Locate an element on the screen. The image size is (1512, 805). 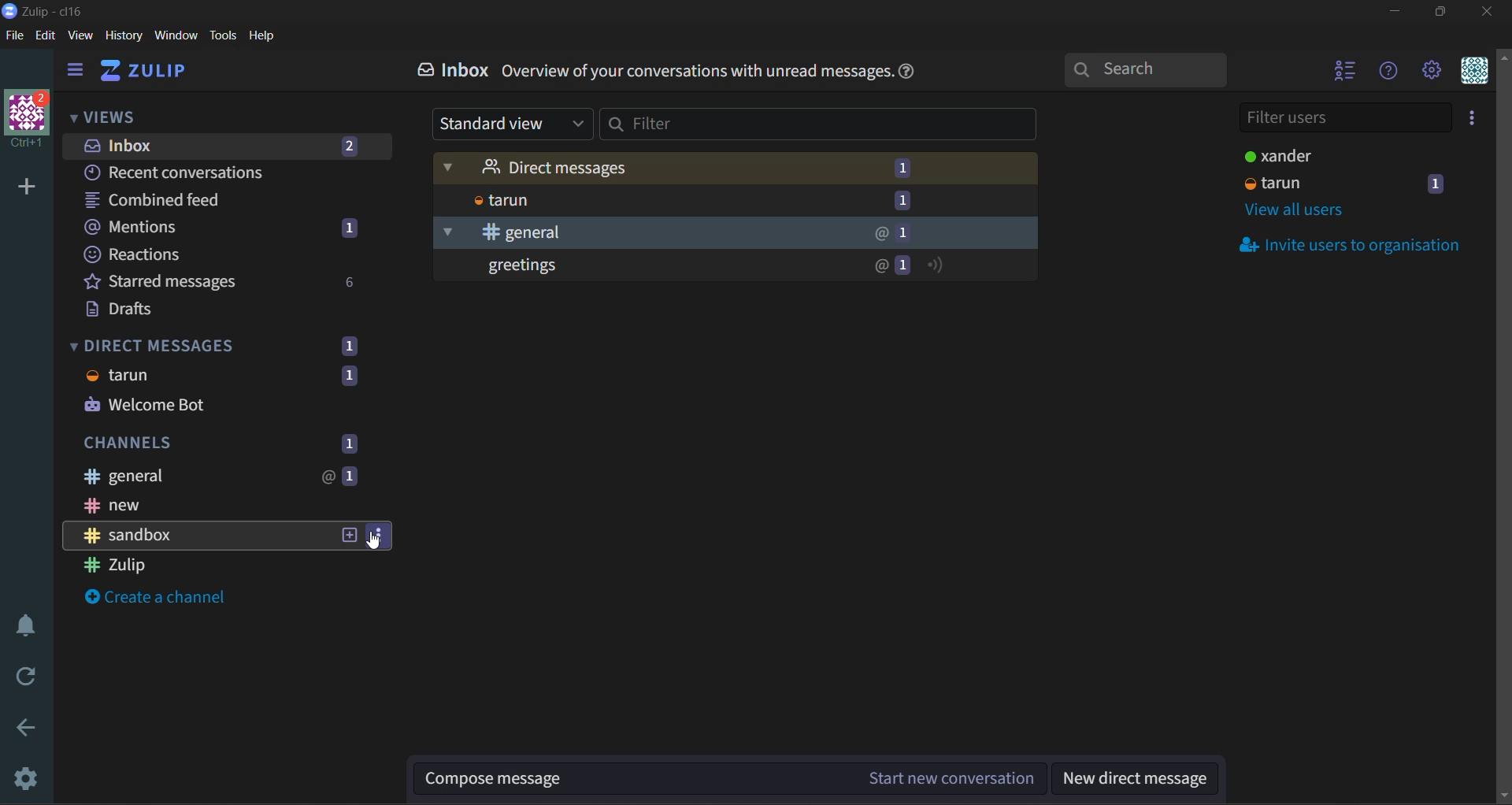
Overview of your conversations with unread messages is located at coordinates (696, 73).